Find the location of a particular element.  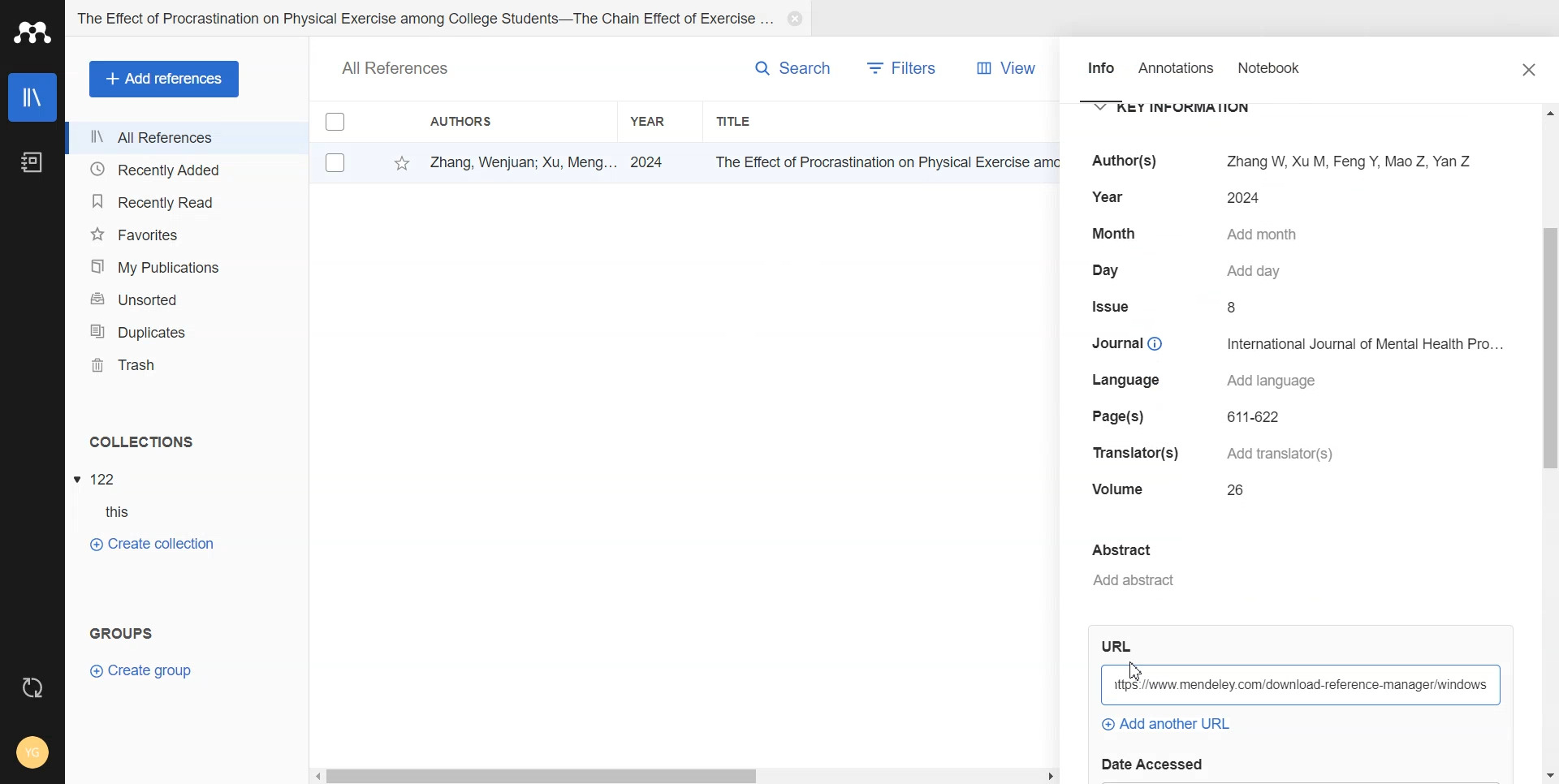

Down is located at coordinates (1548, 770).